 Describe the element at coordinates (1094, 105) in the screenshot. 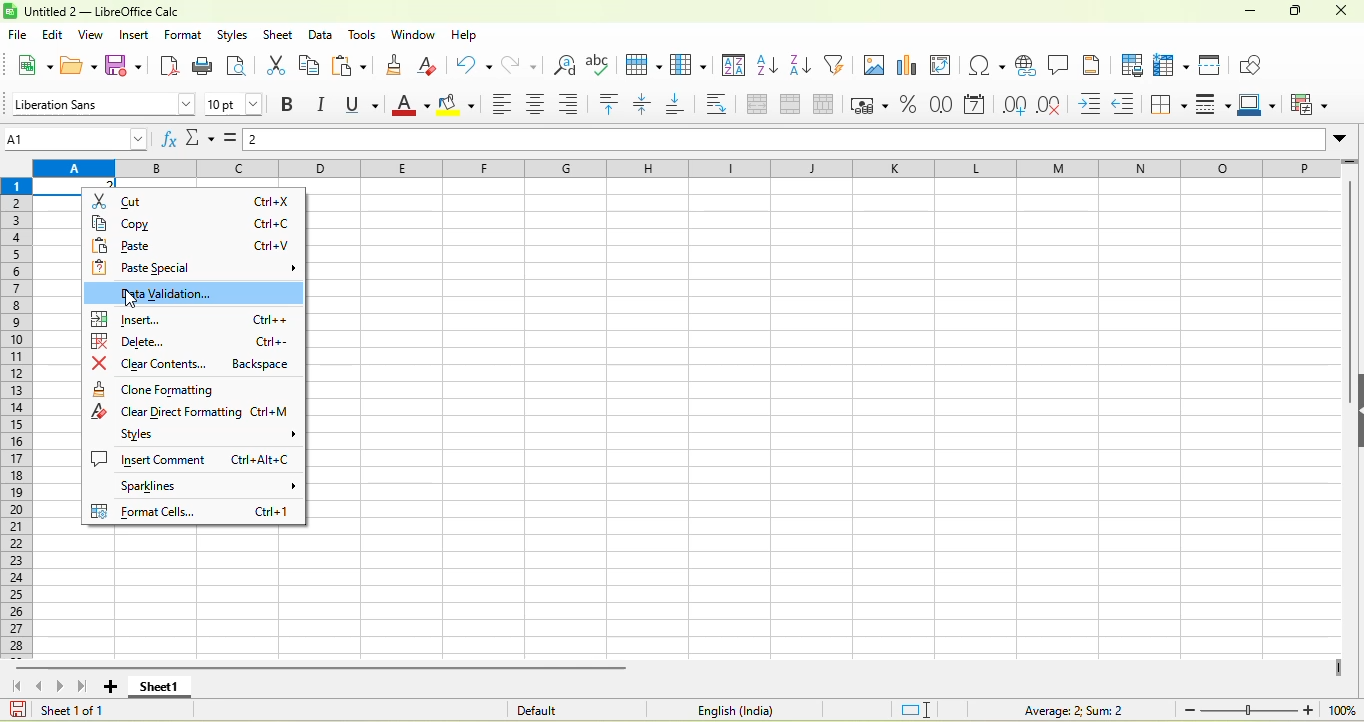

I see `increase indent` at that location.